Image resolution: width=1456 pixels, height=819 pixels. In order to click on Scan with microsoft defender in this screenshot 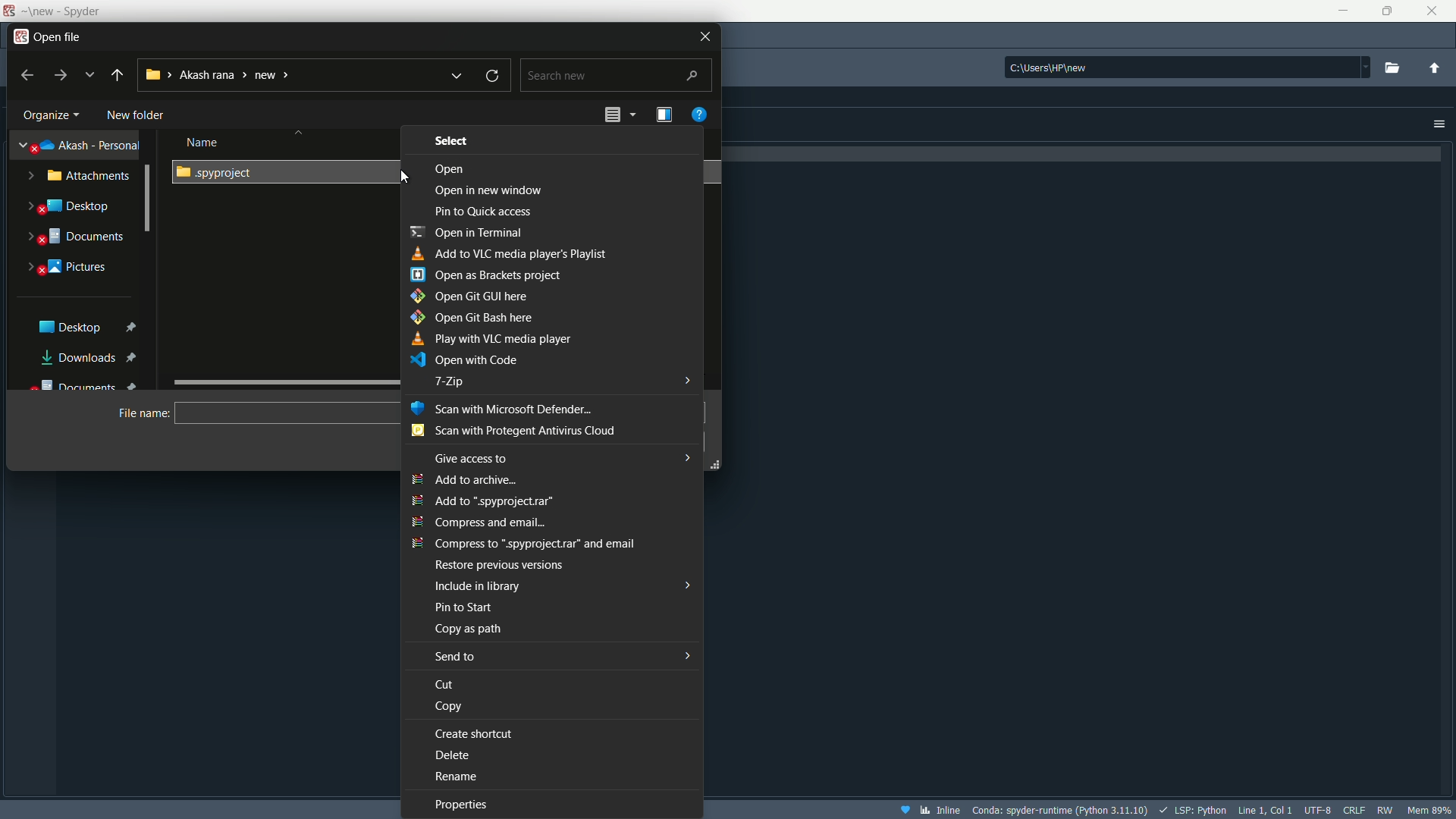, I will do `click(507, 409)`.